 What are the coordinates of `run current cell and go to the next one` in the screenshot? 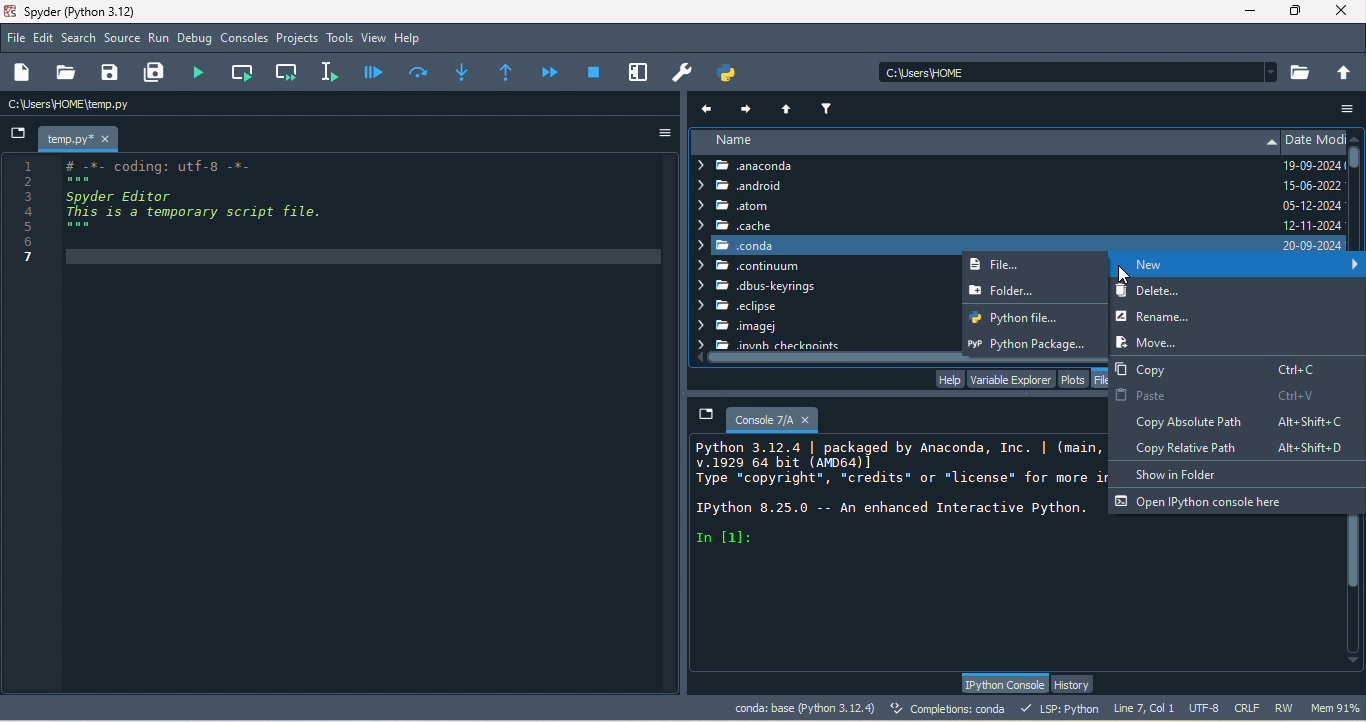 It's located at (288, 71).